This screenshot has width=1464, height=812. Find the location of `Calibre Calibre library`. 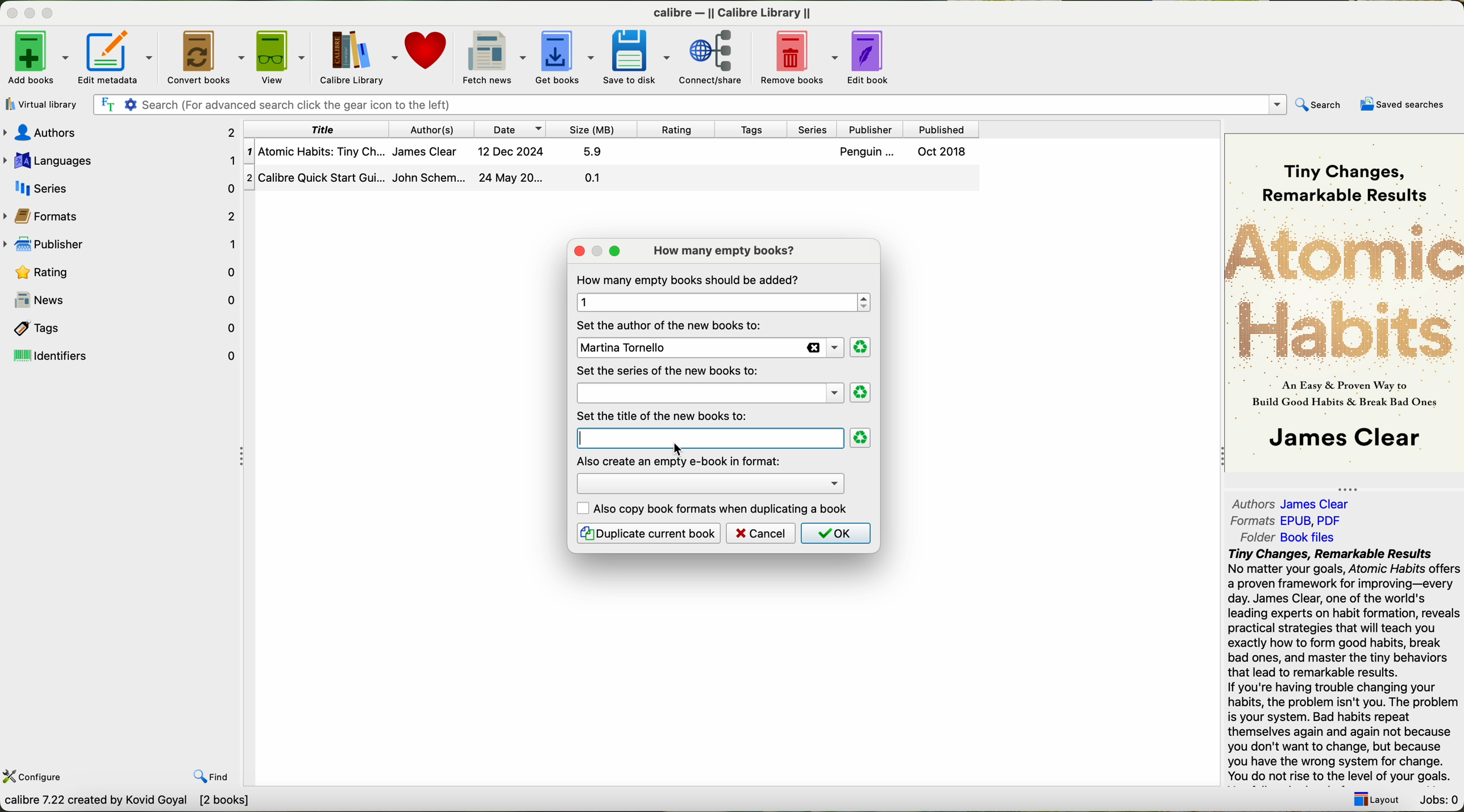

Calibre Calibre library is located at coordinates (737, 11).